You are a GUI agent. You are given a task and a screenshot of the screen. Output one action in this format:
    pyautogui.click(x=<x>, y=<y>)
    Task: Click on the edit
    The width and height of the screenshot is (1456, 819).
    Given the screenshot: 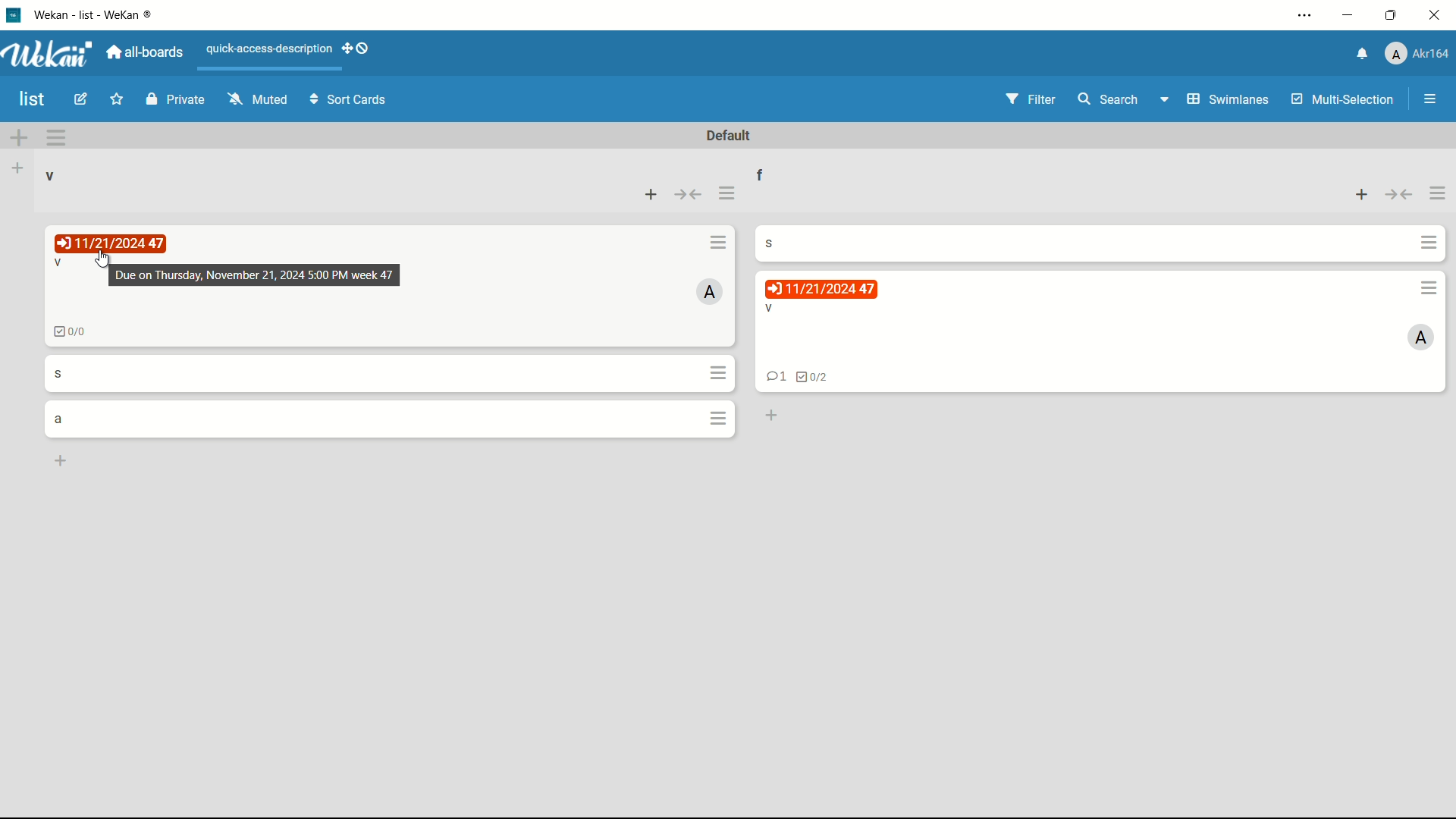 What is the action you would take?
    pyautogui.click(x=83, y=101)
    